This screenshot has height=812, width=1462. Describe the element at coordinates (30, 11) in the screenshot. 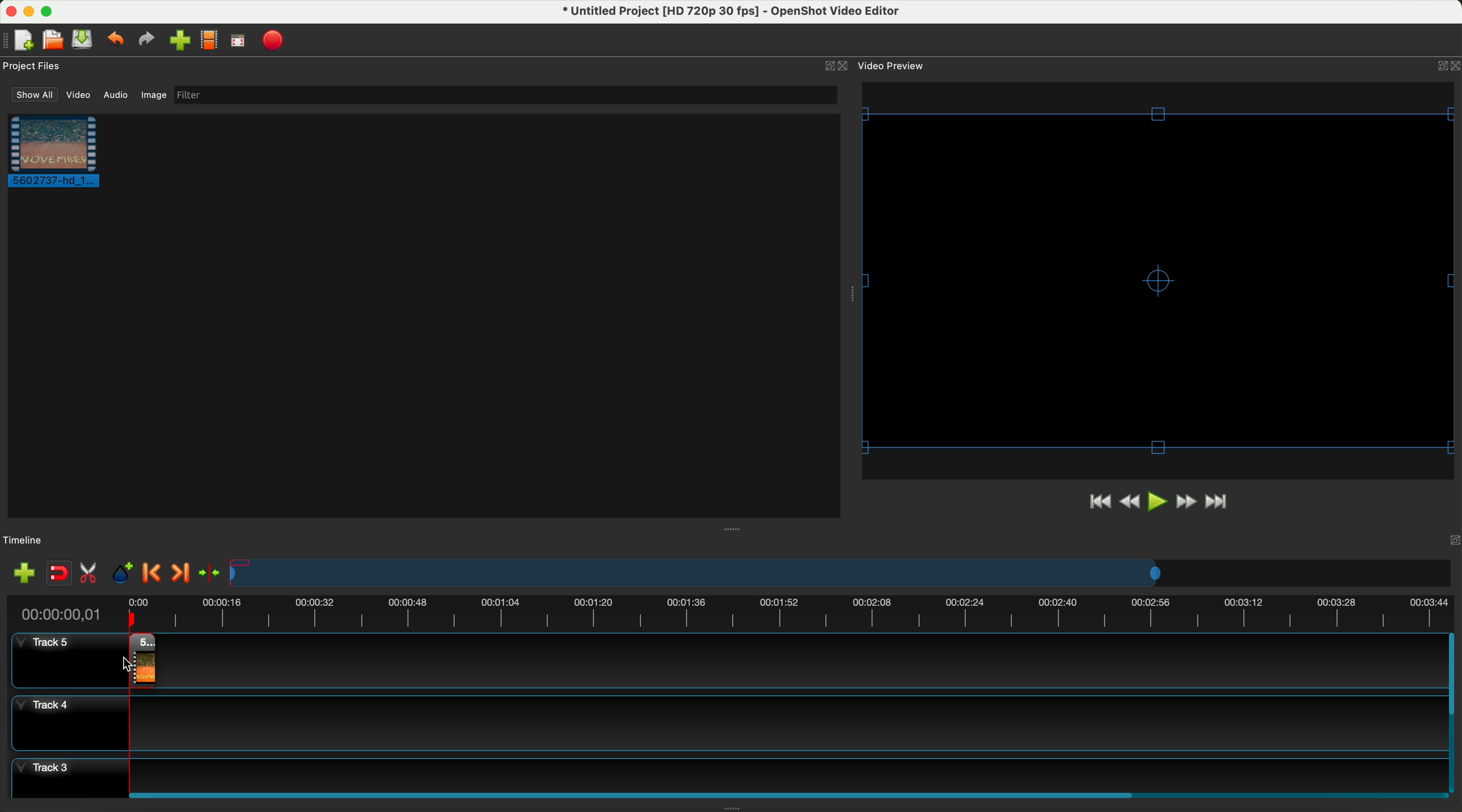

I see `minimize` at that location.